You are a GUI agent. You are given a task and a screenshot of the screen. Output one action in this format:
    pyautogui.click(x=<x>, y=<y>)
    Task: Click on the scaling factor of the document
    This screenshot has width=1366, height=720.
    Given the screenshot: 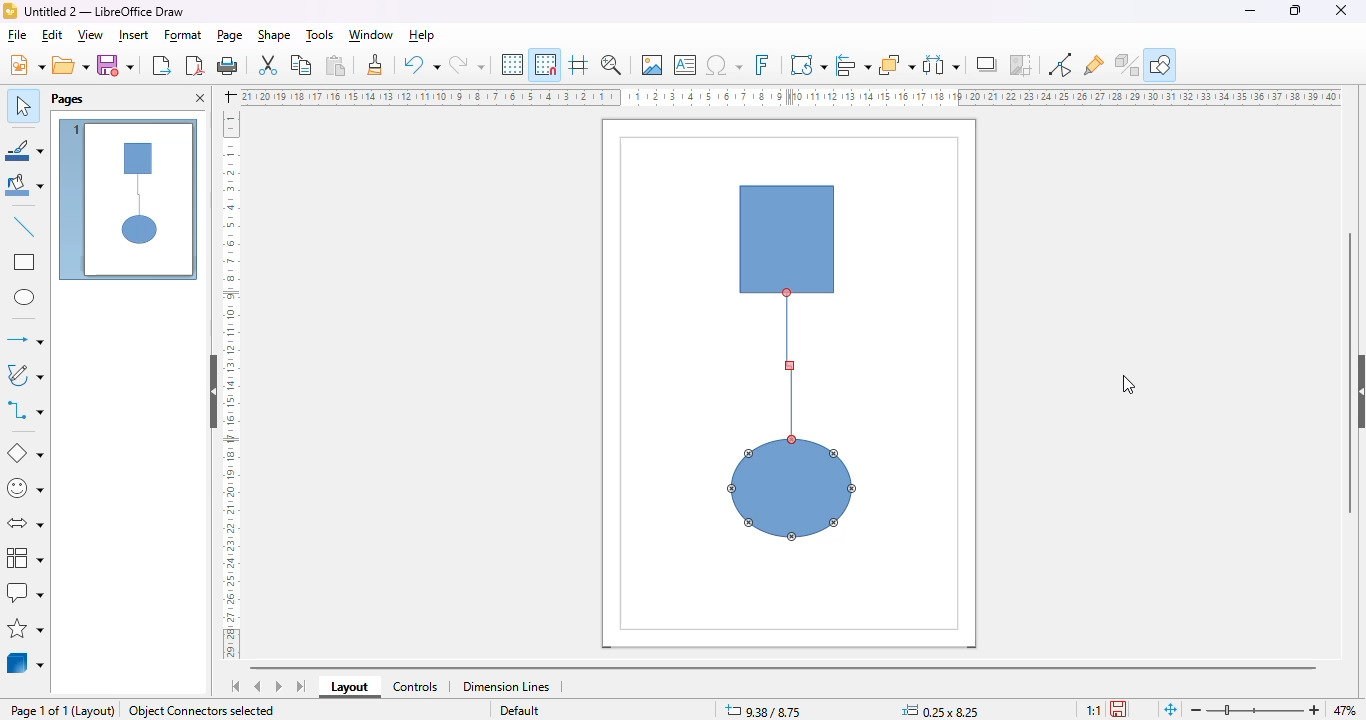 What is the action you would take?
    pyautogui.click(x=1091, y=708)
    